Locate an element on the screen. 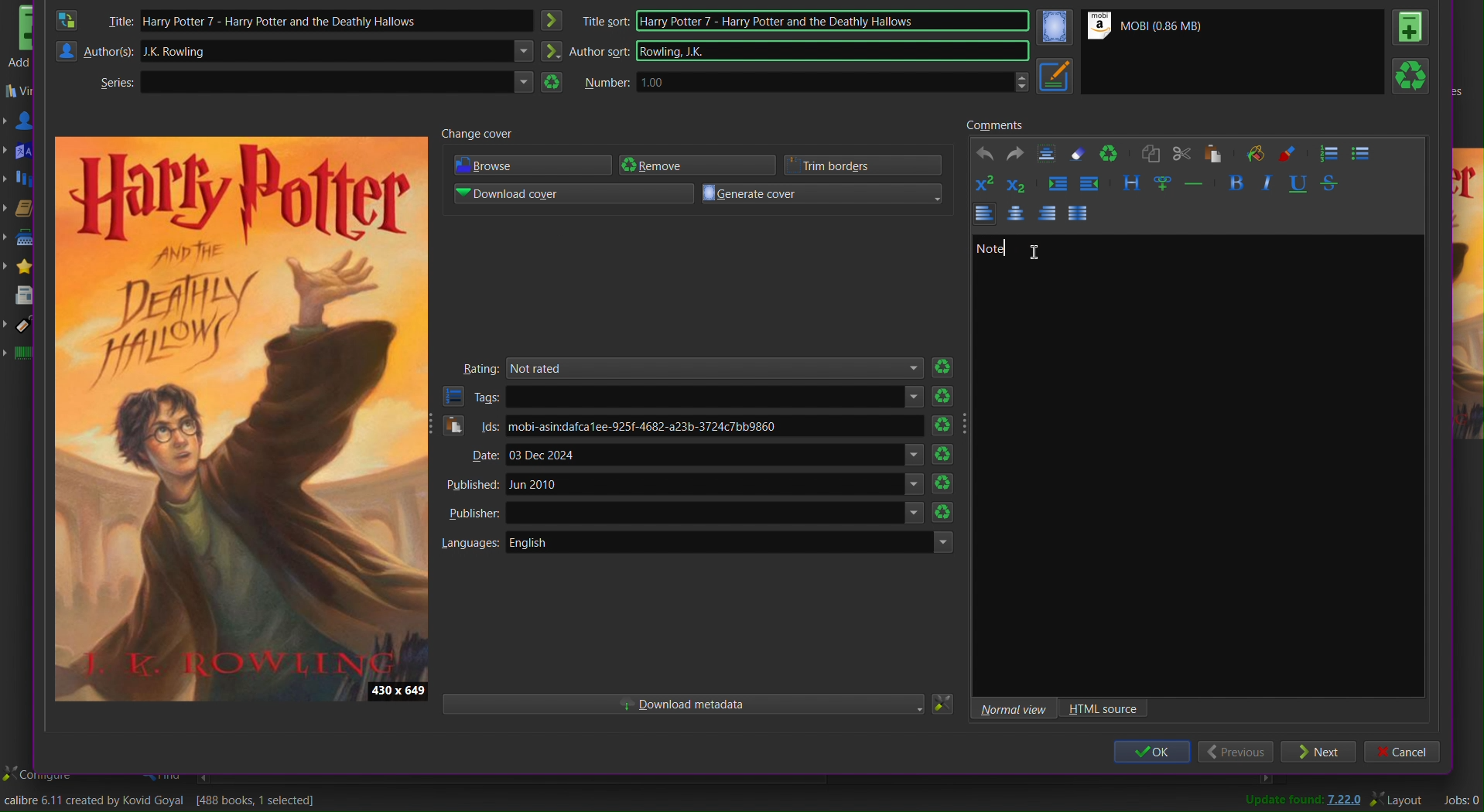  Refresh is located at coordinates (945, 394).